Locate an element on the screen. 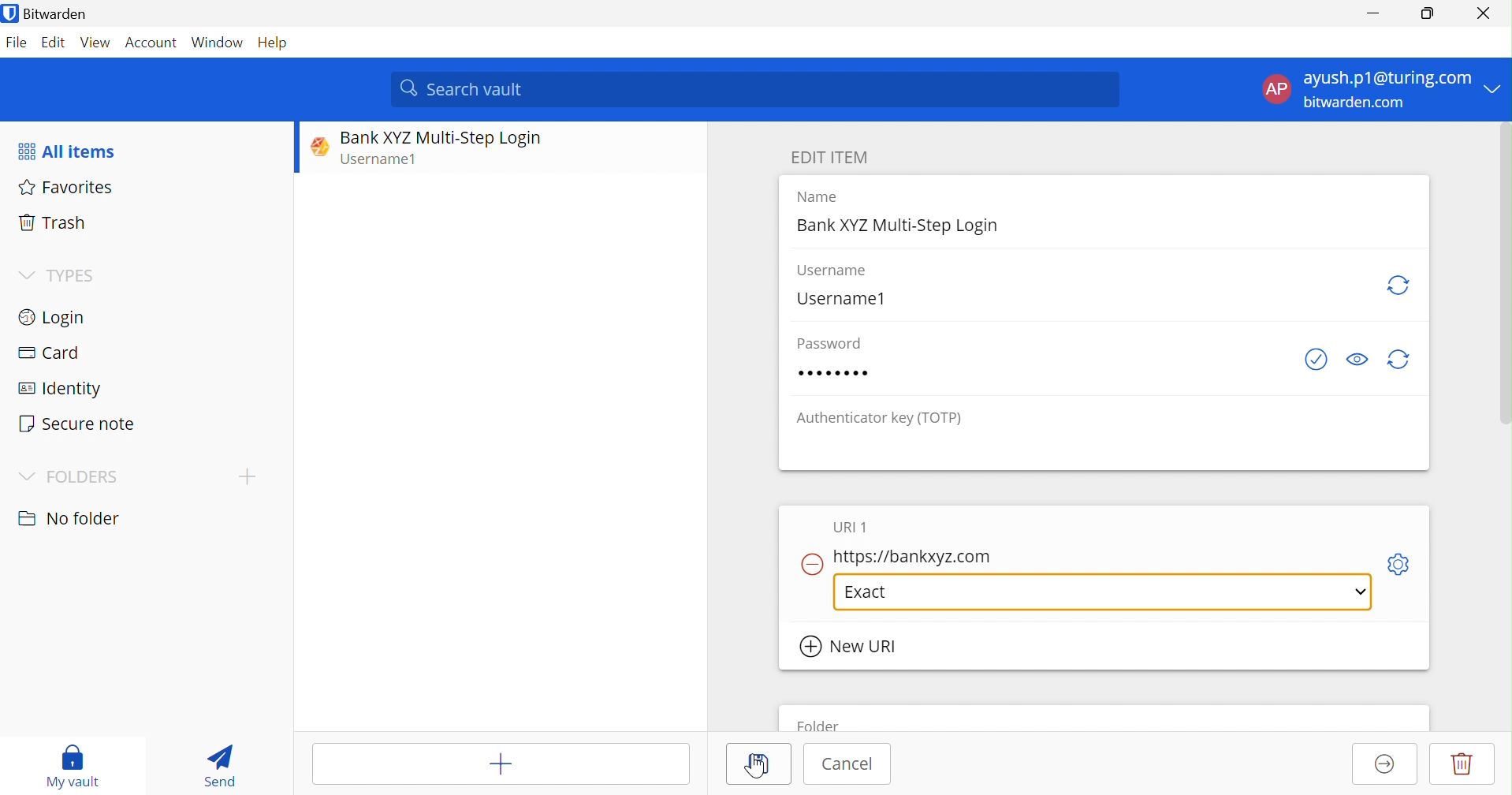  Settings is located at coordinates (1404, 562).